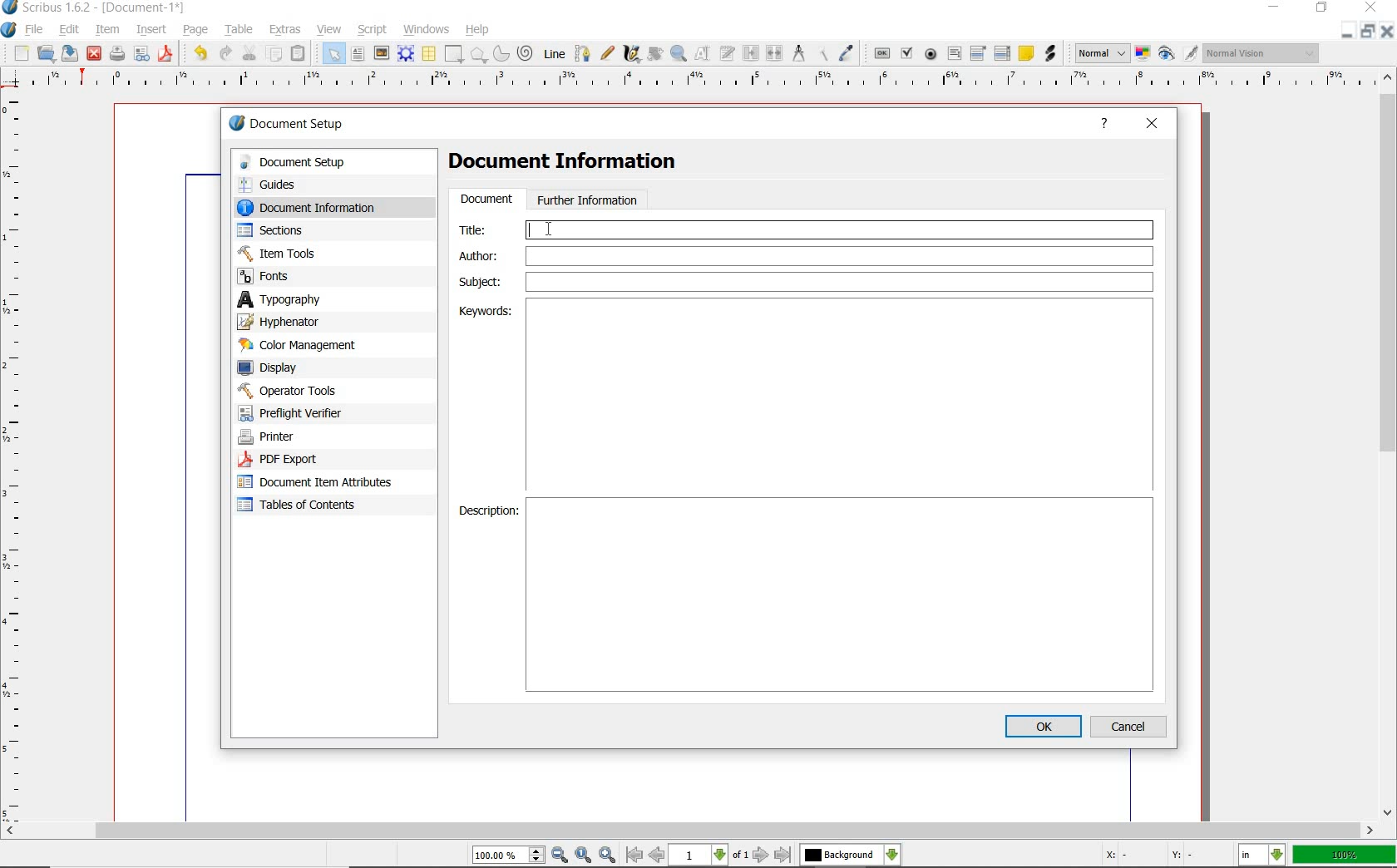 Image resolution: width=1397 pixels, height=868 pixels. Describe the element at coordinates (480, 28) in the screenshot. I see `help` at that location.